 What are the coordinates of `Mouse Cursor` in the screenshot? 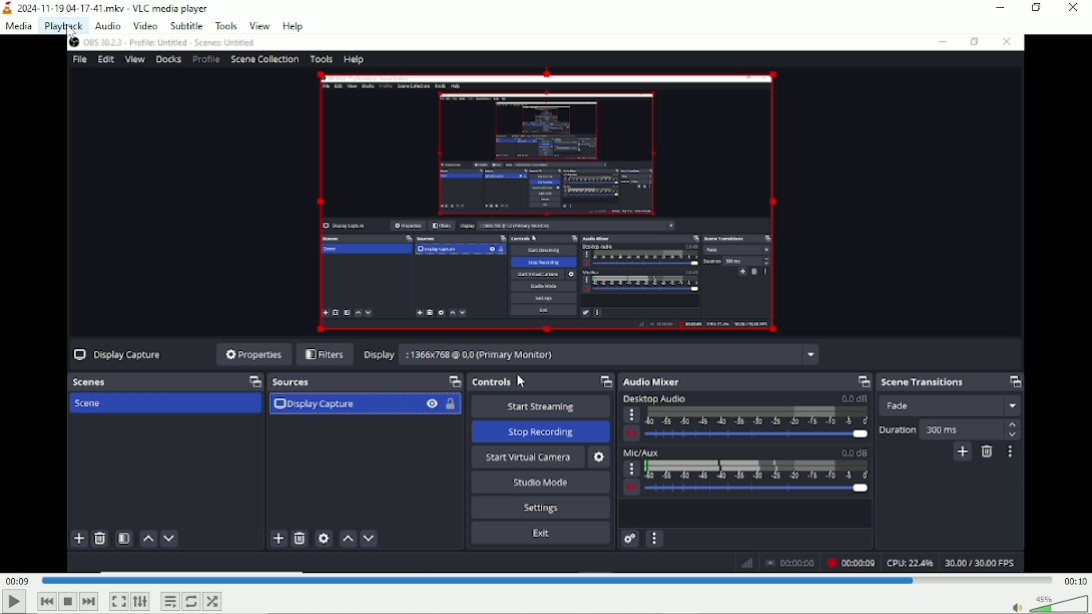 It's located at (70, 38).